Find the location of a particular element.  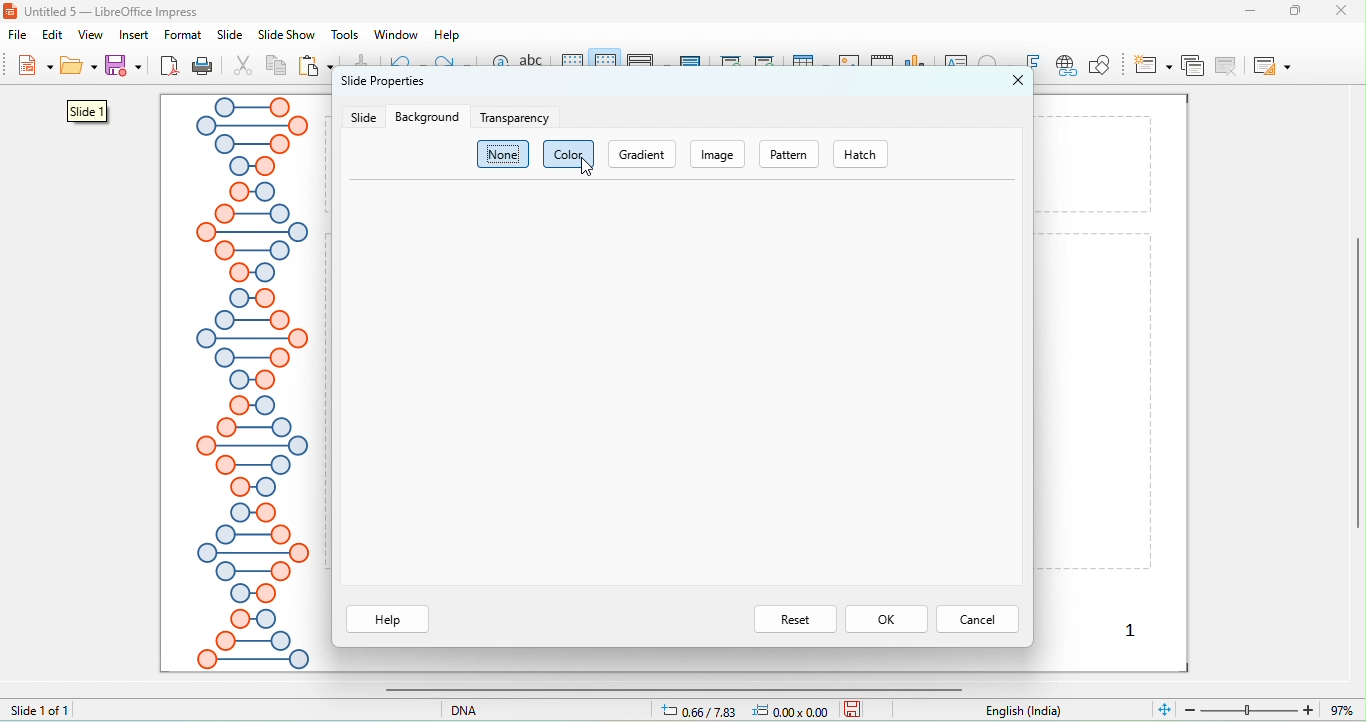

tools is located at coordinates (346, 35).